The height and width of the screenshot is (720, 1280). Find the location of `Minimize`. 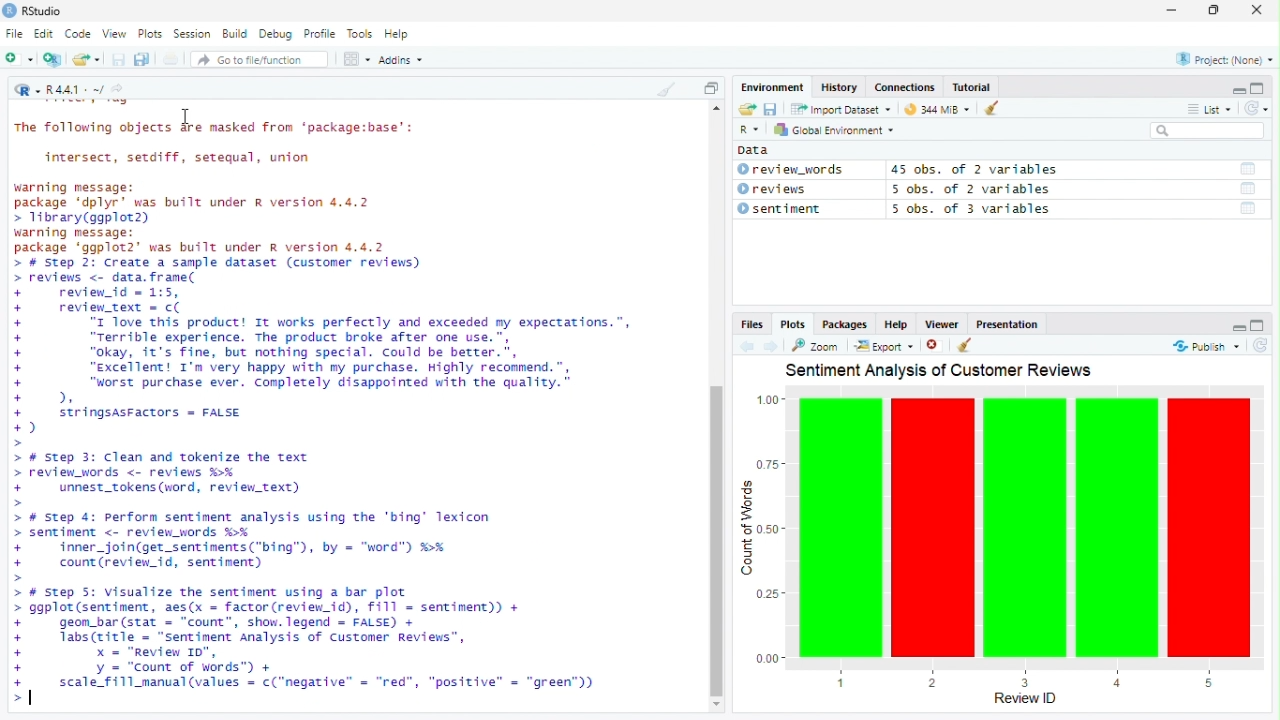

Minimize is located at coordinates (1238, 326).